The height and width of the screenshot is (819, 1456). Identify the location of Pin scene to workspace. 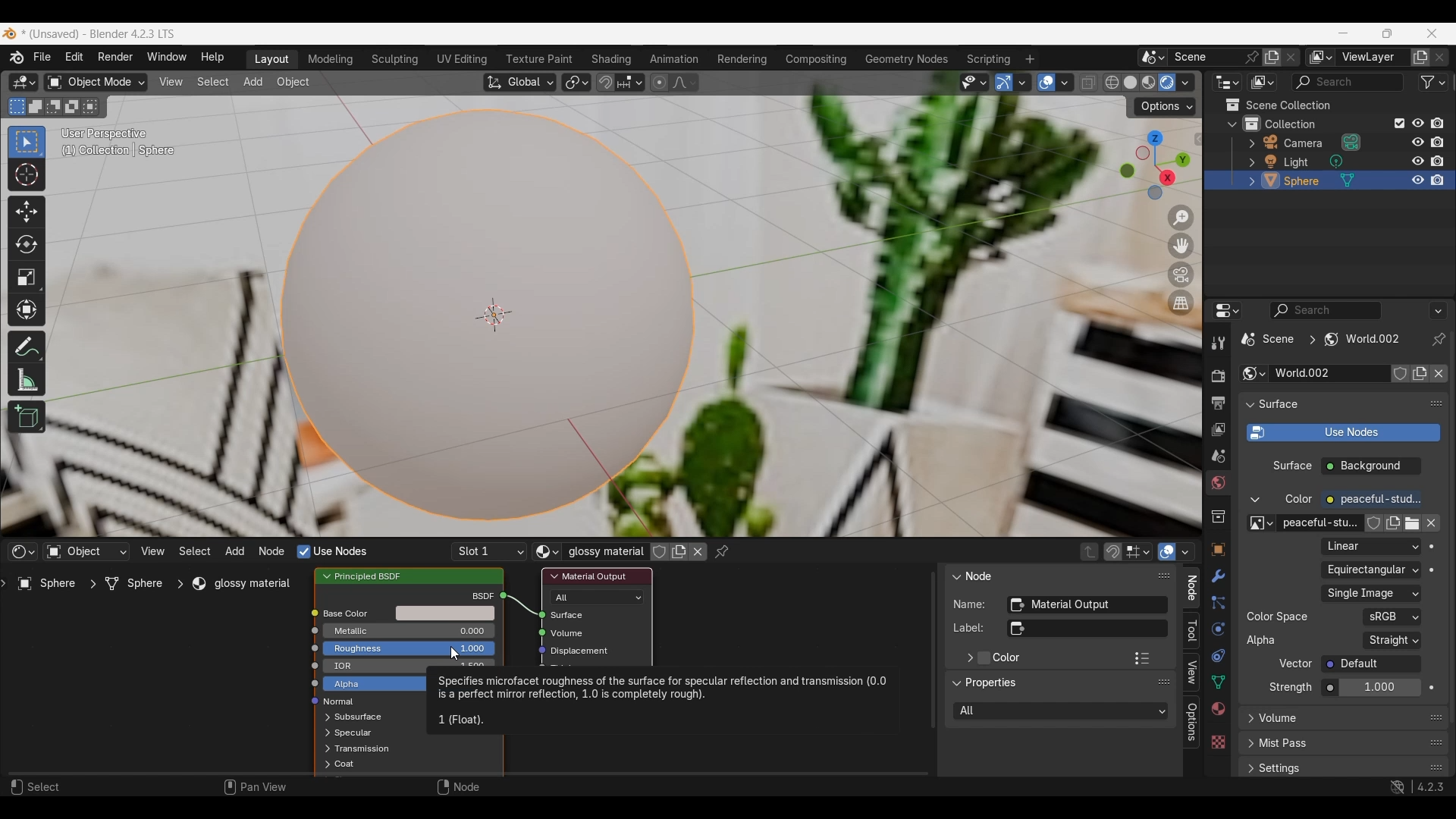
(1251, 58).